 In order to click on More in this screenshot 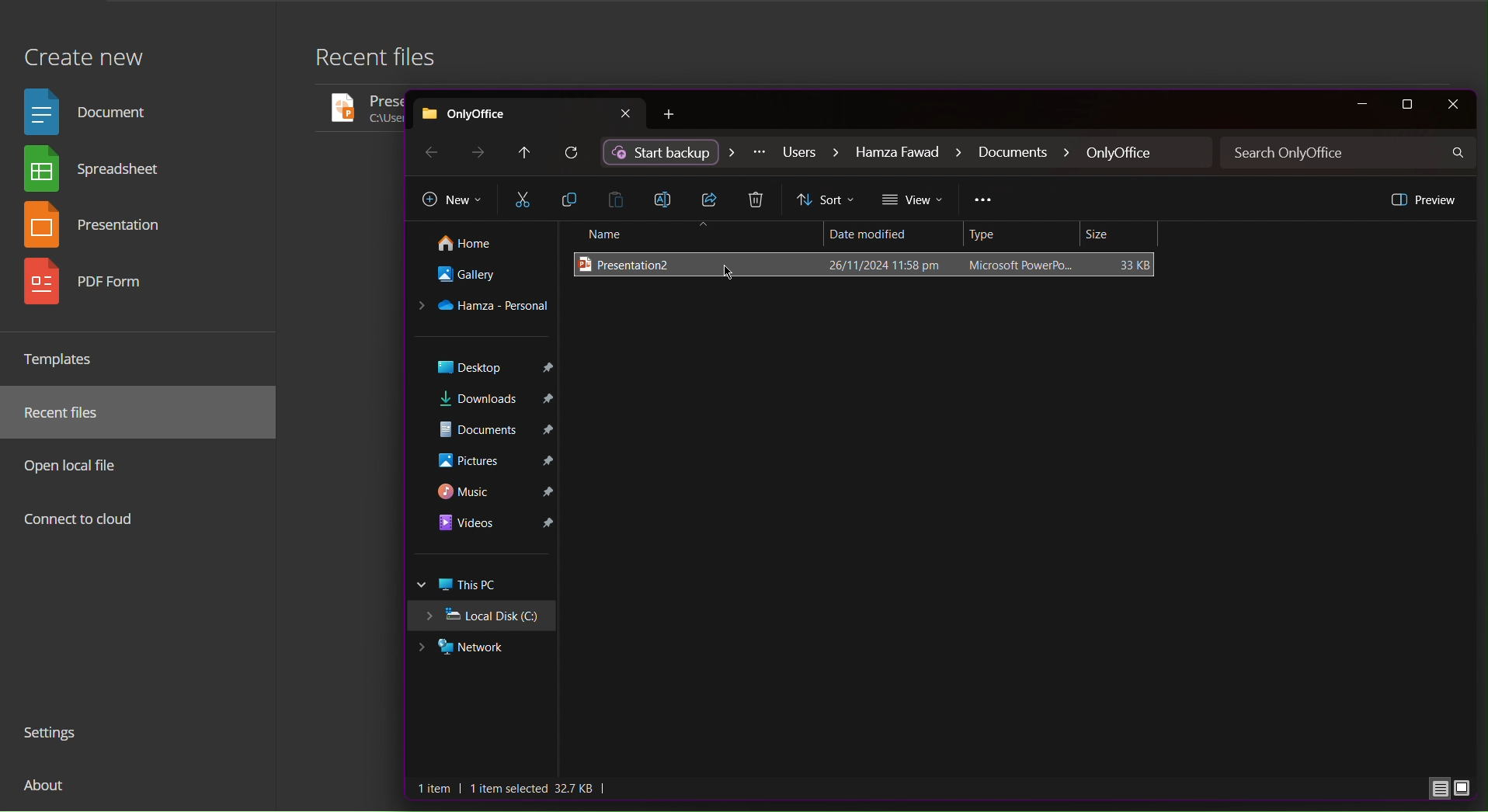, I will do `click(984, 202)`.